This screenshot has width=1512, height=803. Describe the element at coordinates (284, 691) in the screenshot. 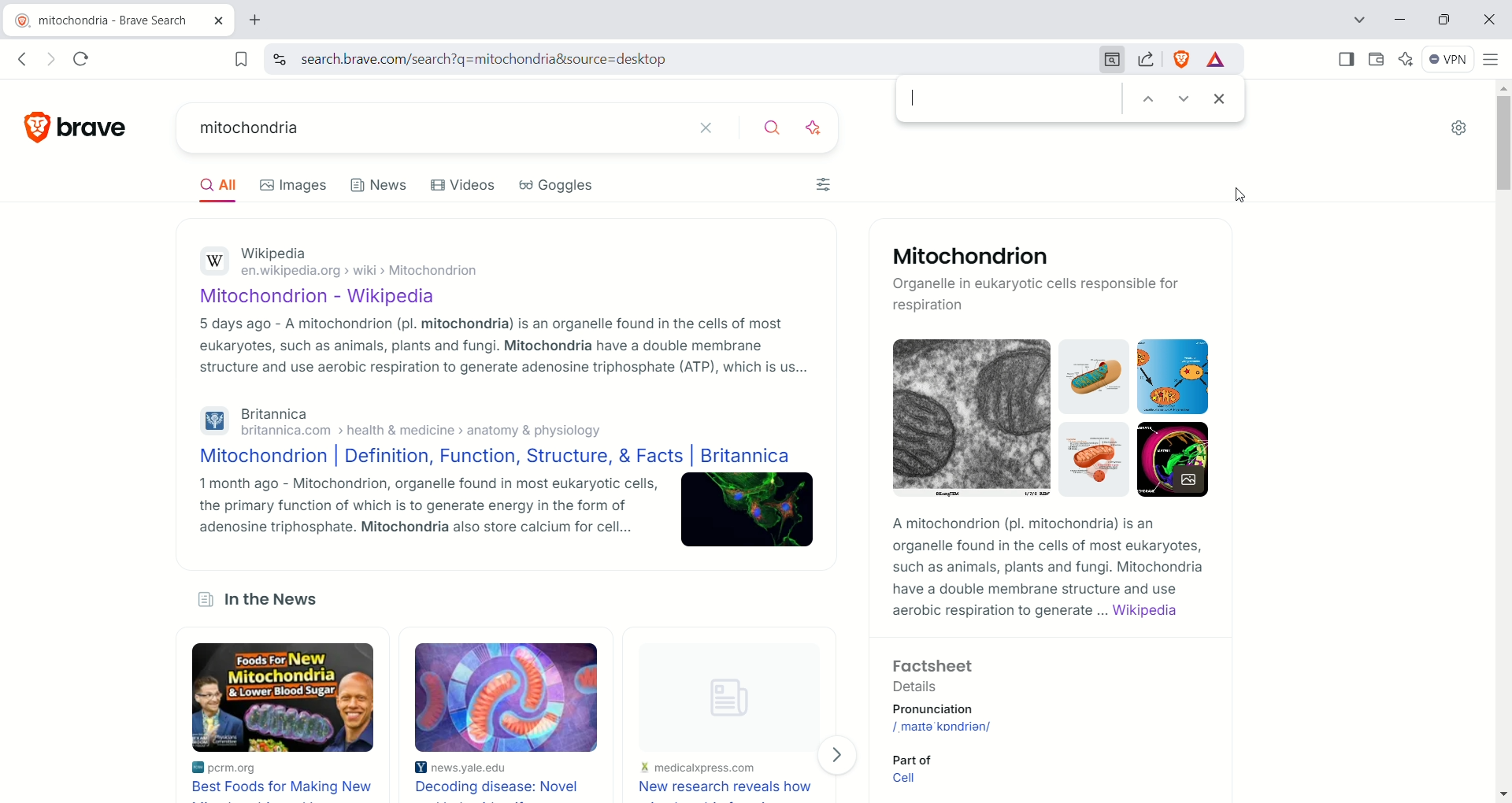

I see `Foods For, NEW Mitochondria & lower blood sugar` at that location.